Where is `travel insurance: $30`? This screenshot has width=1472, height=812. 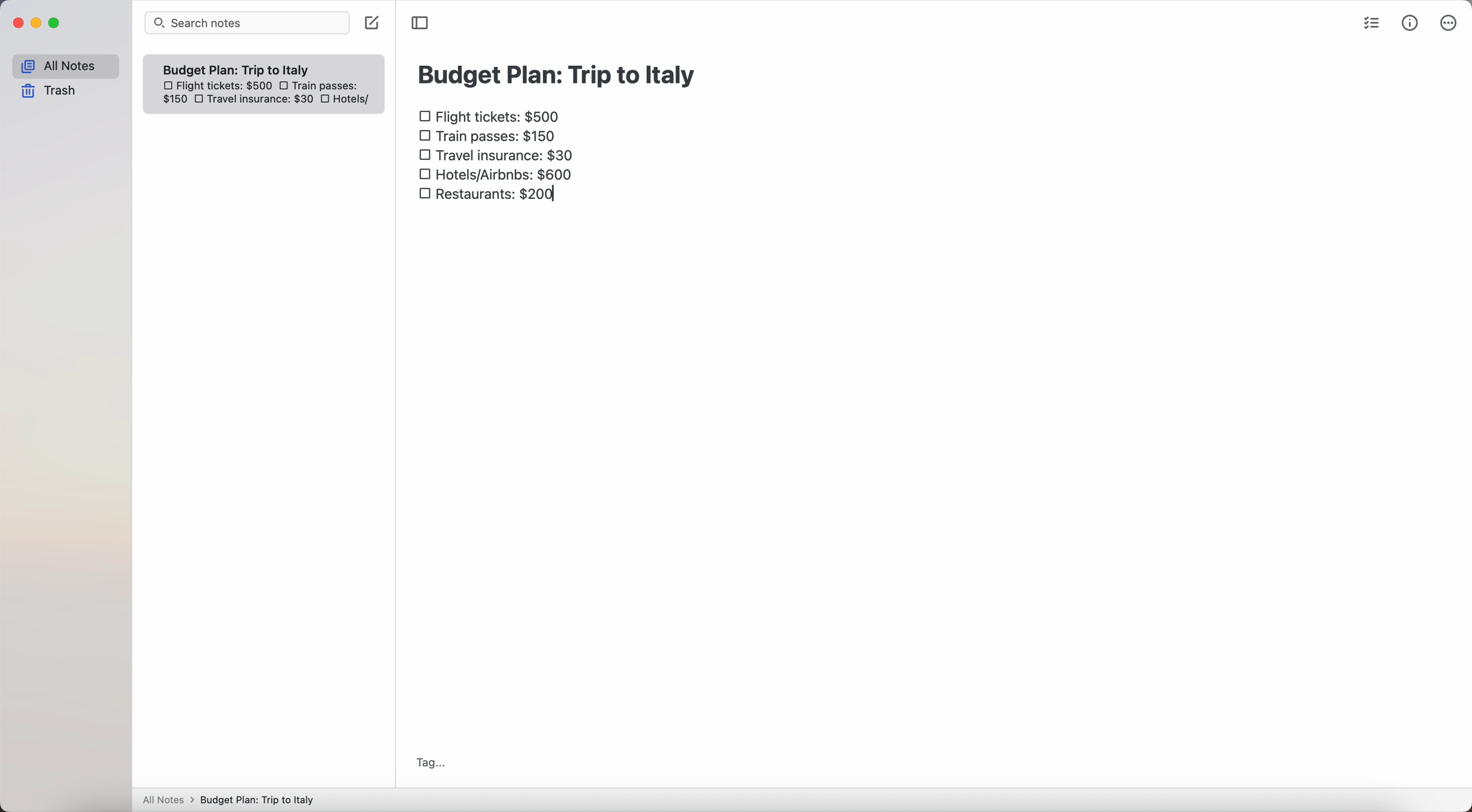 travel insurance: $30 is located at coordinates (263, 101).